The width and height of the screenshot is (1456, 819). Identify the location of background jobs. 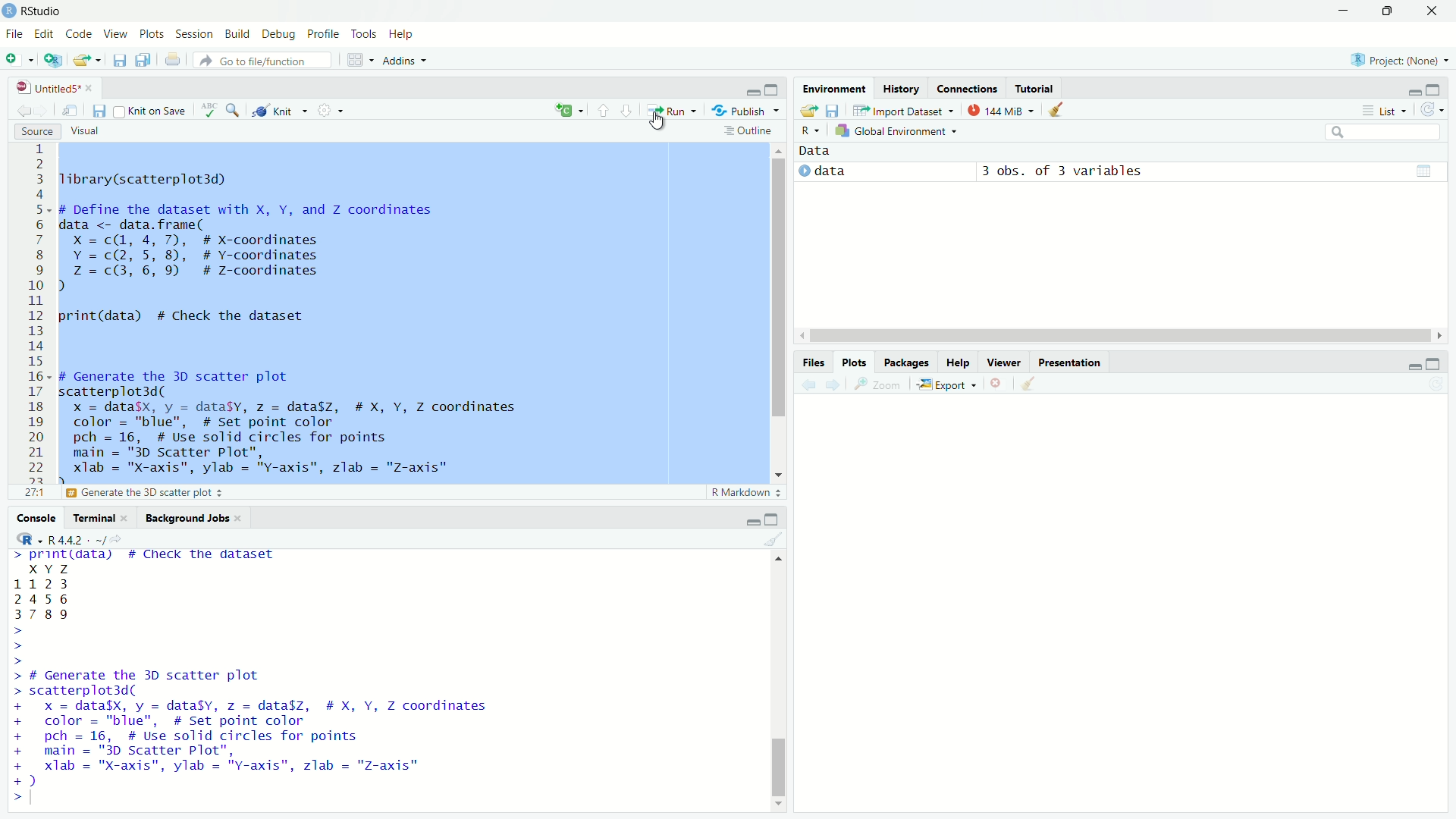
(186, 518).